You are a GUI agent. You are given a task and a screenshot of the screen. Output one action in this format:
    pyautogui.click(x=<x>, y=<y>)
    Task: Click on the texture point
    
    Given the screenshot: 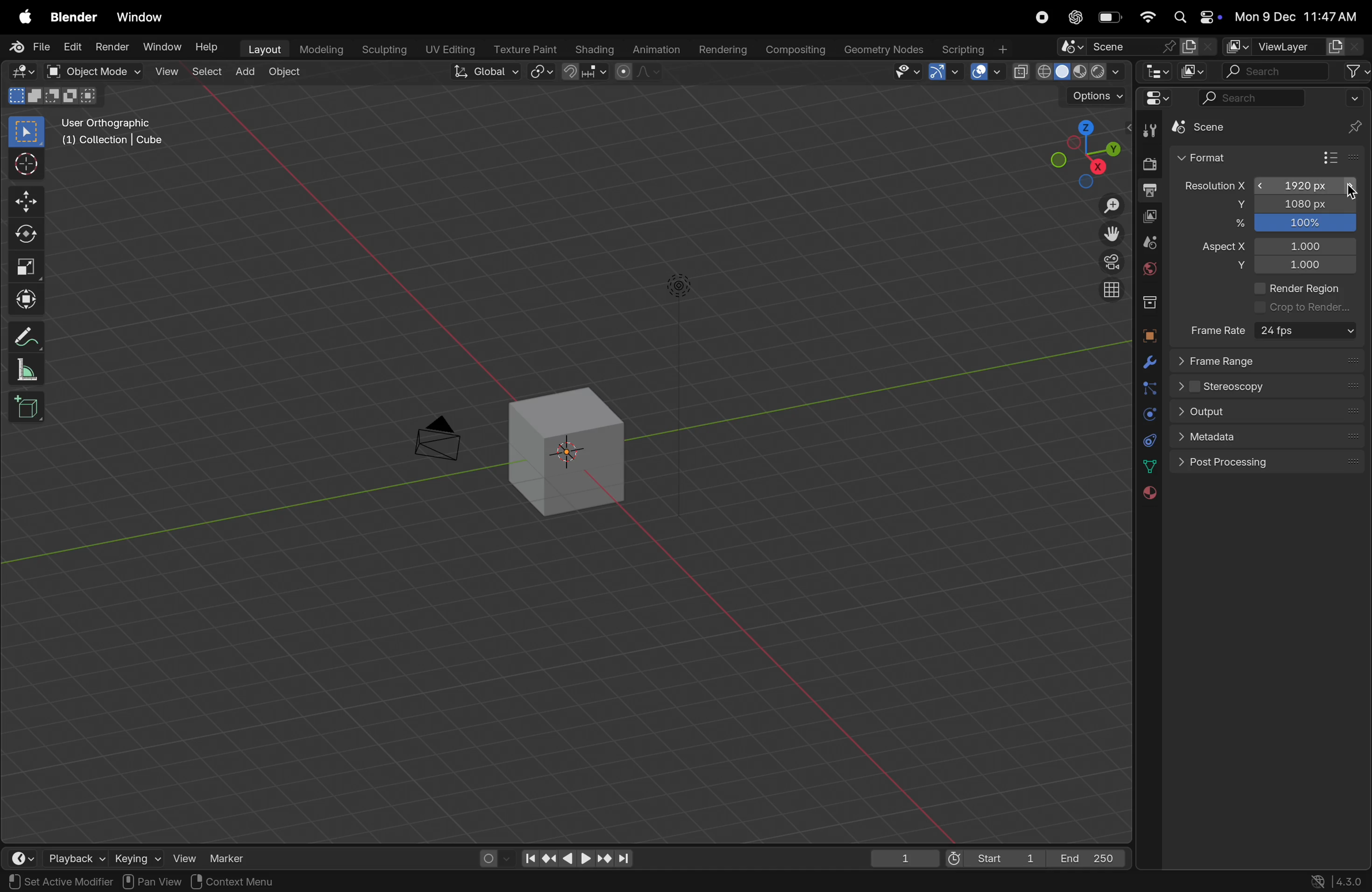 What is the action you would take?
    pyautogui.click(x=526, y=48)
    